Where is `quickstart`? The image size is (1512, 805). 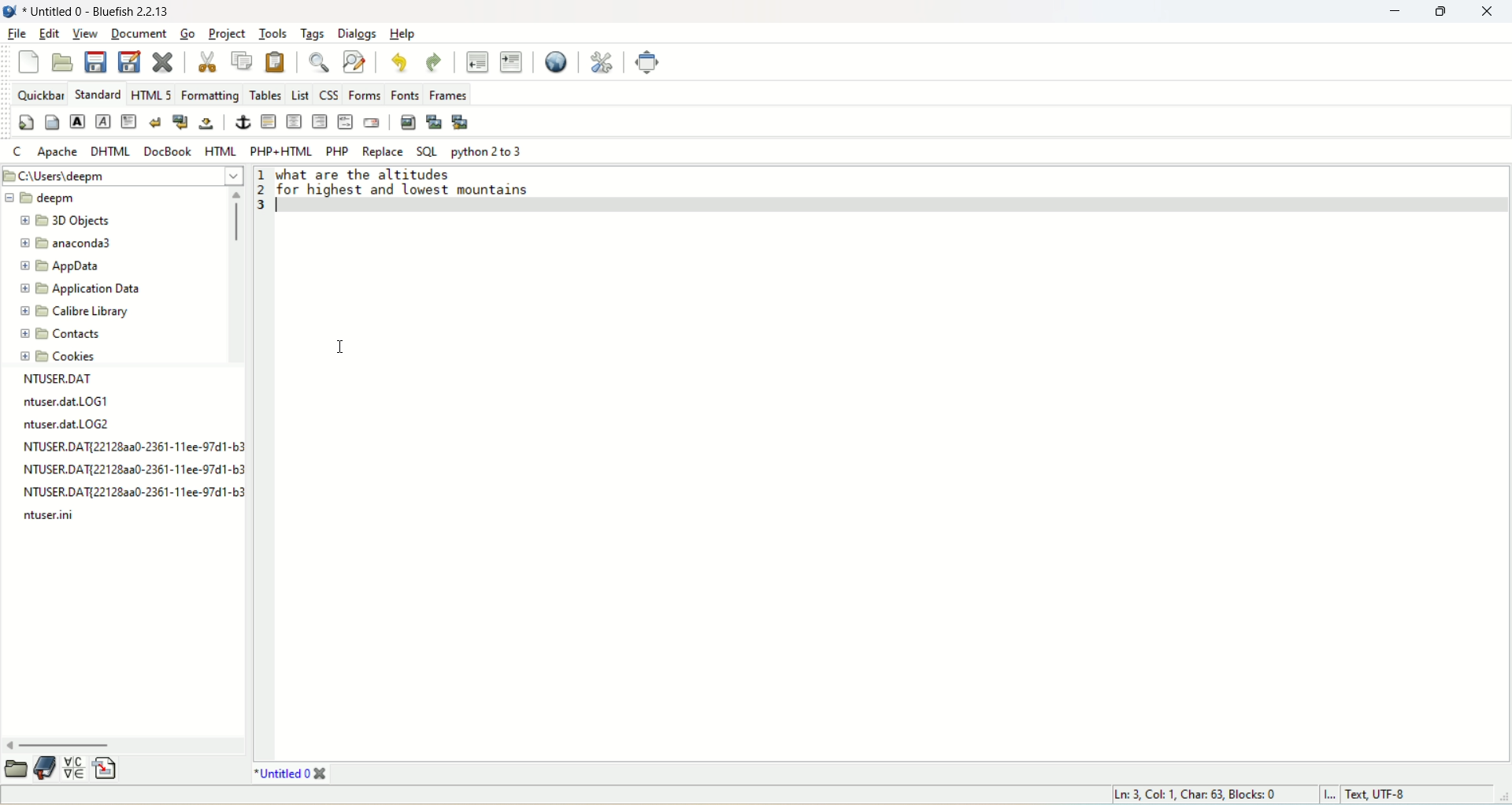 quickstart is located at coordinates (25, 121).